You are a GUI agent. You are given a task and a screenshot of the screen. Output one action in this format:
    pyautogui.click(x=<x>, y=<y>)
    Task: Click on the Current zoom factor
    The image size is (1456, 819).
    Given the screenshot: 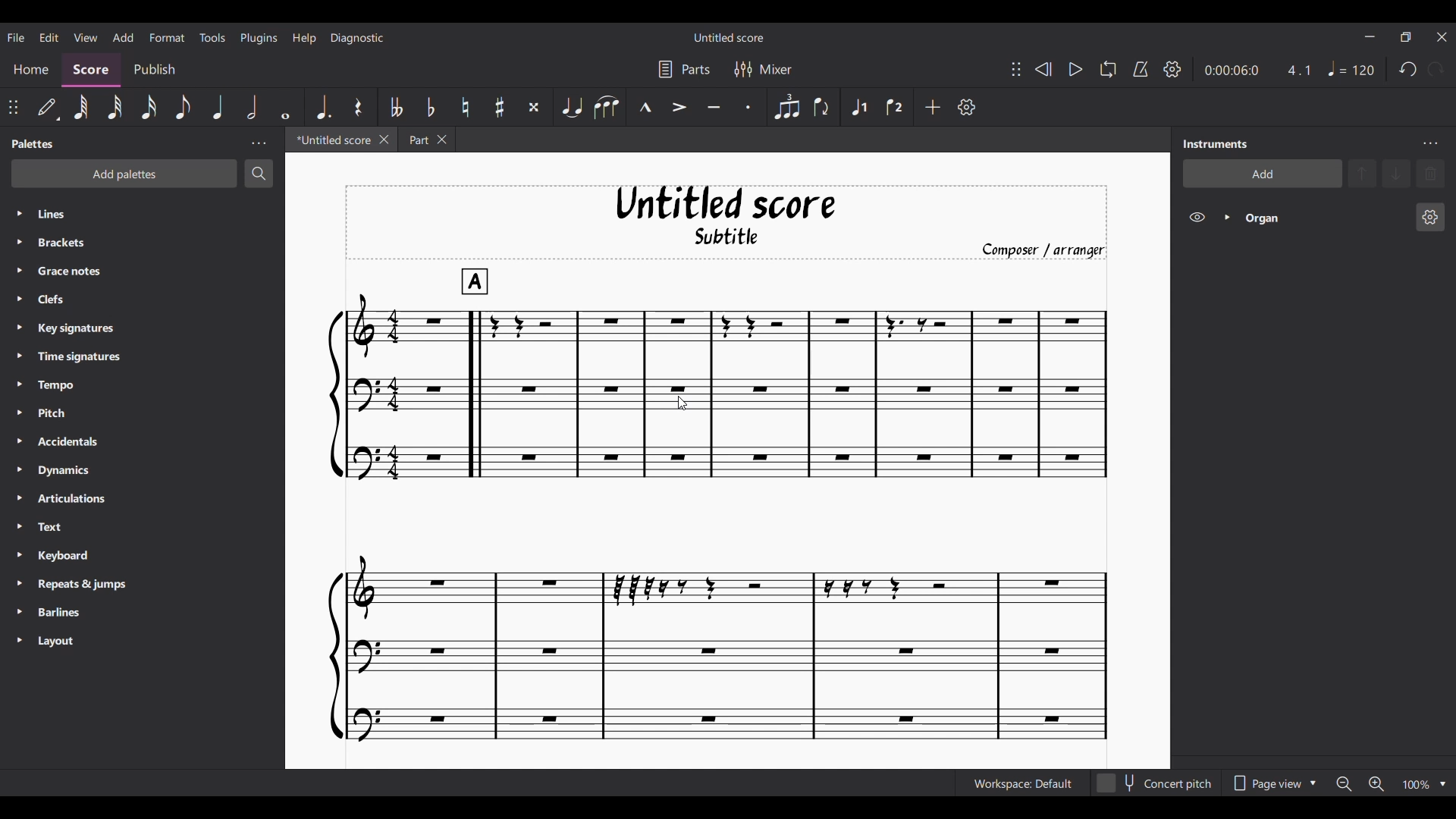 What is the action you would take?
    pyautogui.click(x=1417, y=785)
    